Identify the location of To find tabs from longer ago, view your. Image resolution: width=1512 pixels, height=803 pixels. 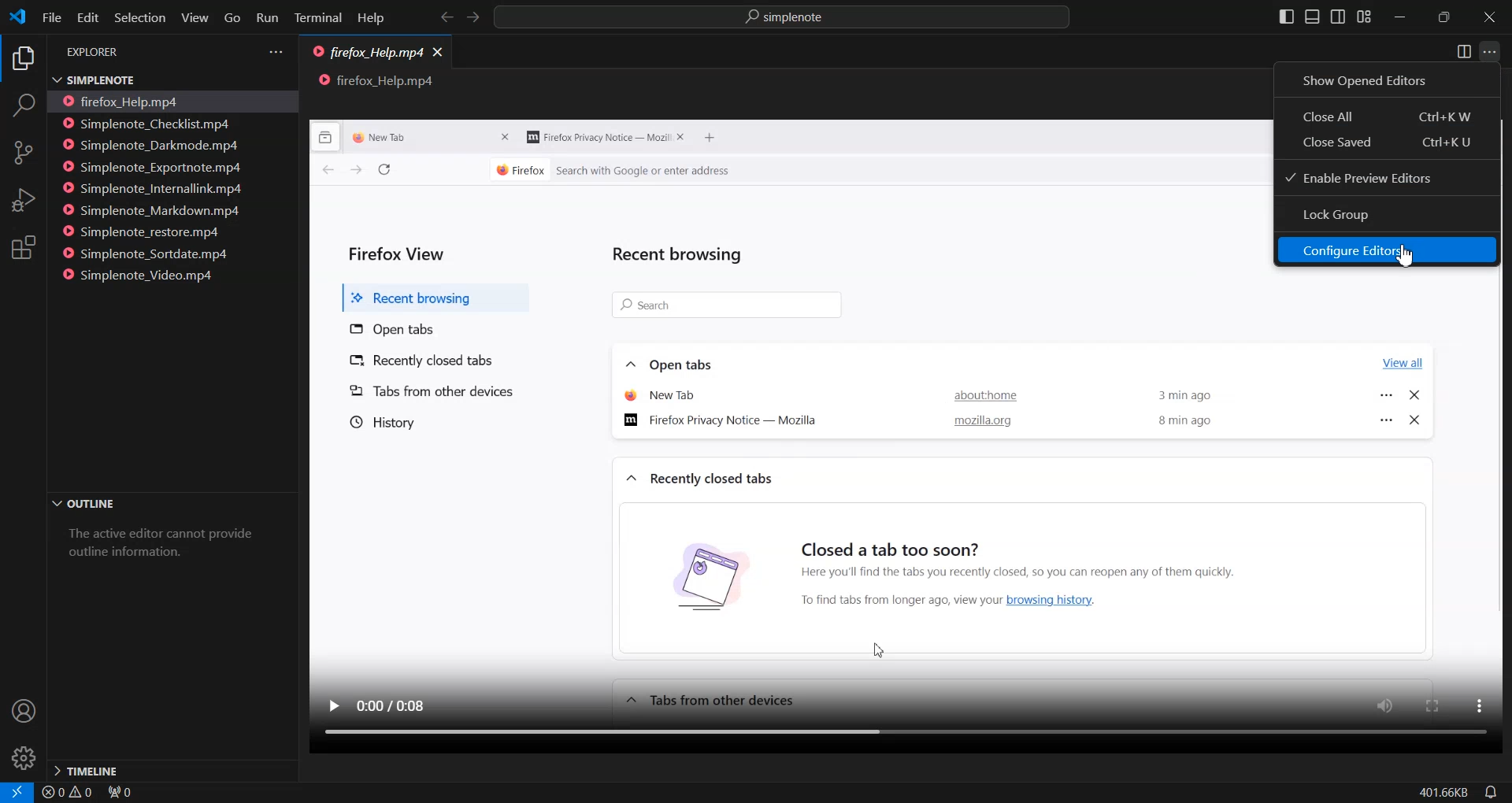
(893, 600).